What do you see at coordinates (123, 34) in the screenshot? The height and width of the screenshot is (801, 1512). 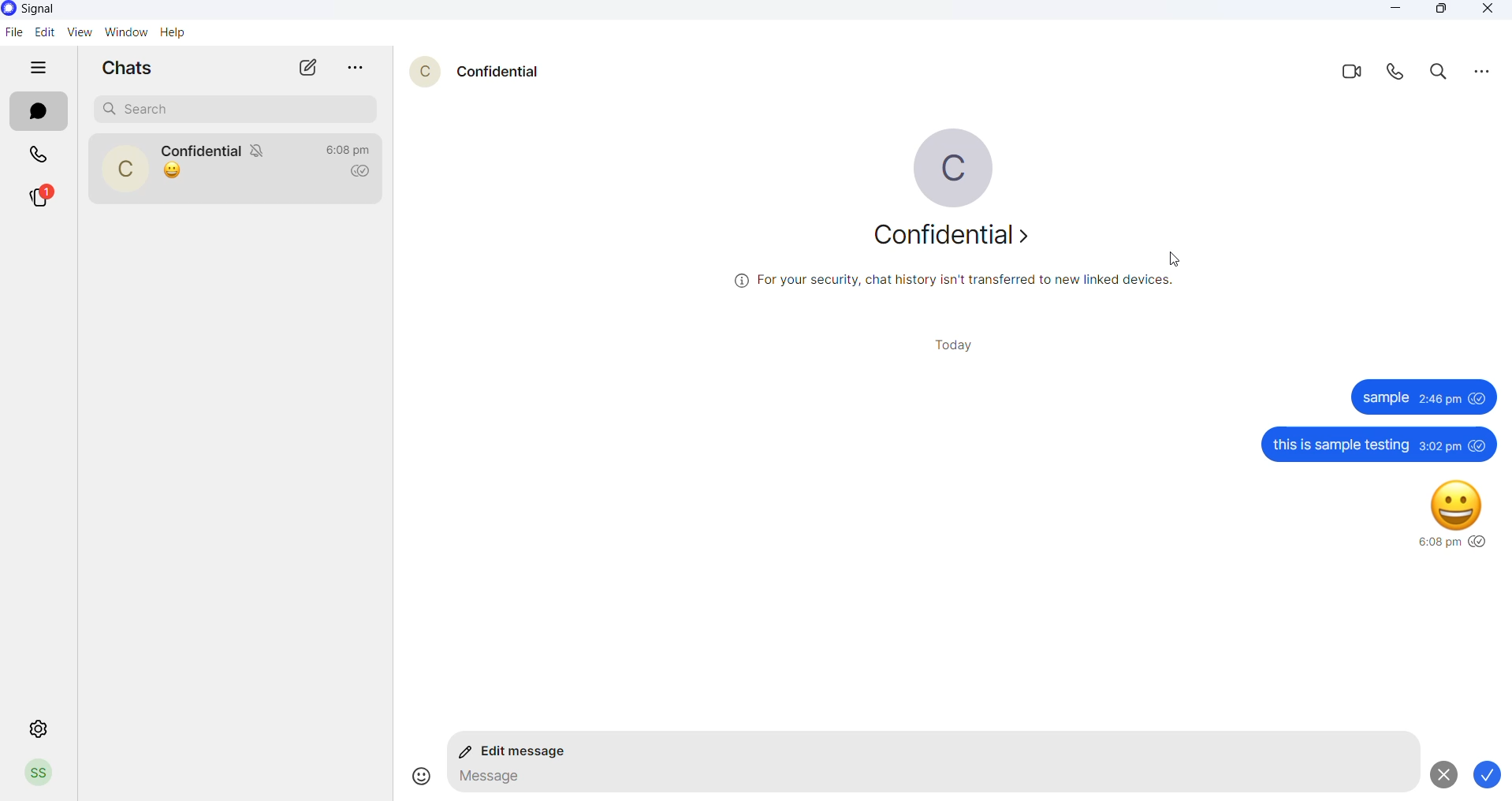 I see `window` at bounding box center [123, 34].